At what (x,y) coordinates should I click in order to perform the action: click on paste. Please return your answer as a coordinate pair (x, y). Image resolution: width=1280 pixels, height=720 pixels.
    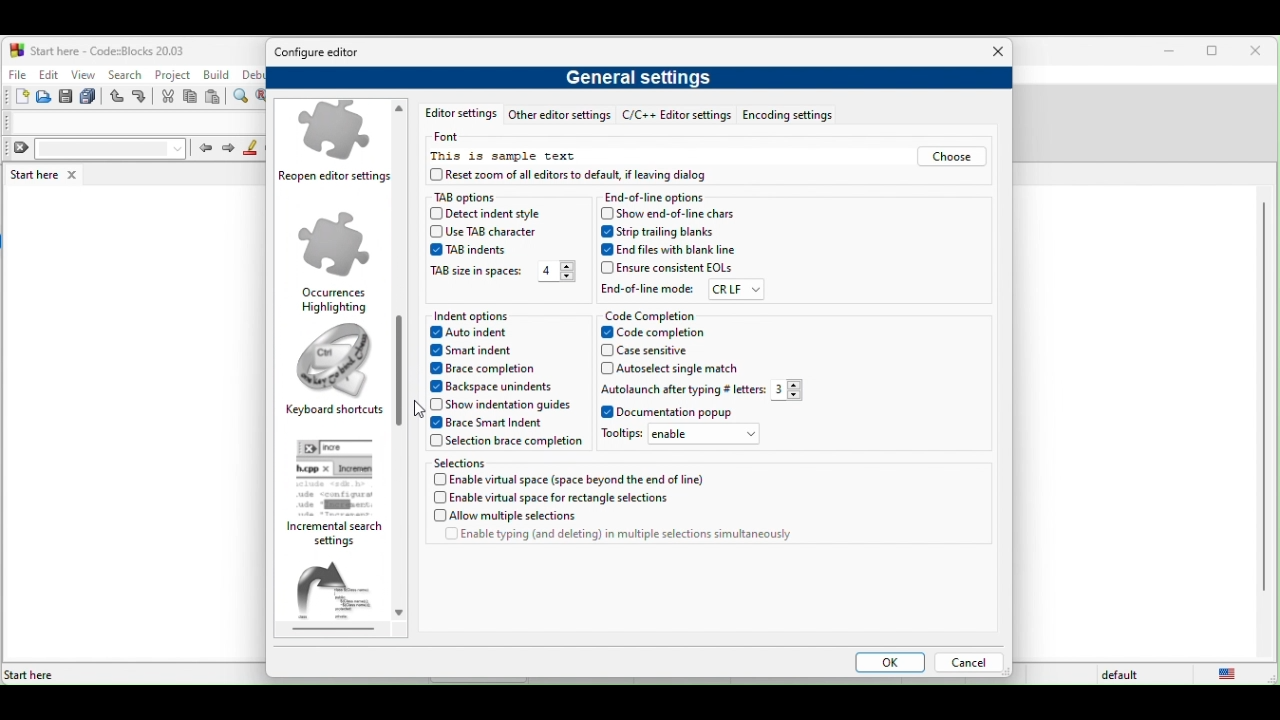
    Looking at the image, I should click on (214, 98).